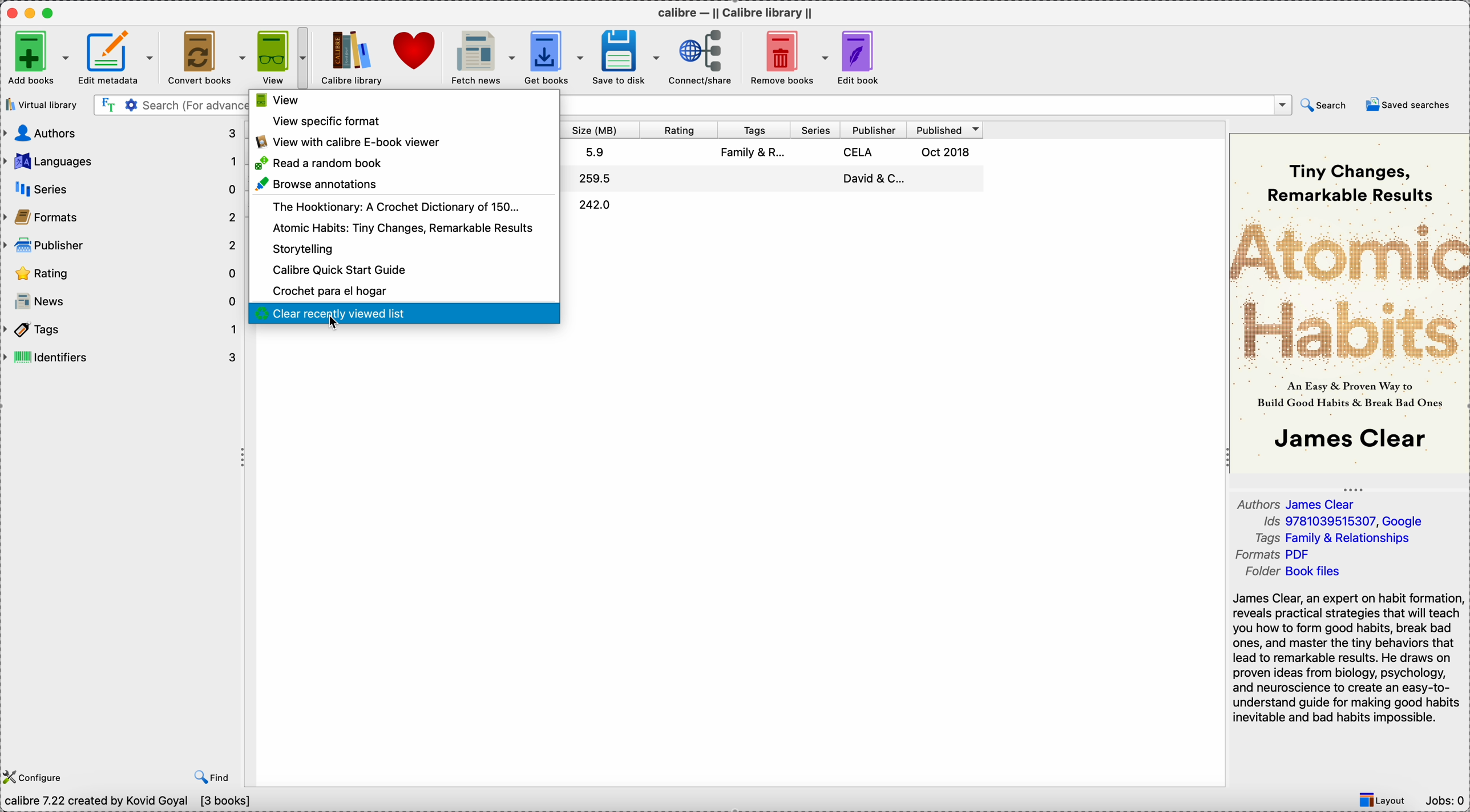 Image resolution: width=1470 pixels, height=812 pixels. Describe the element at coordinates (595, 205) in the screenshot. I see `242.0` at that location.